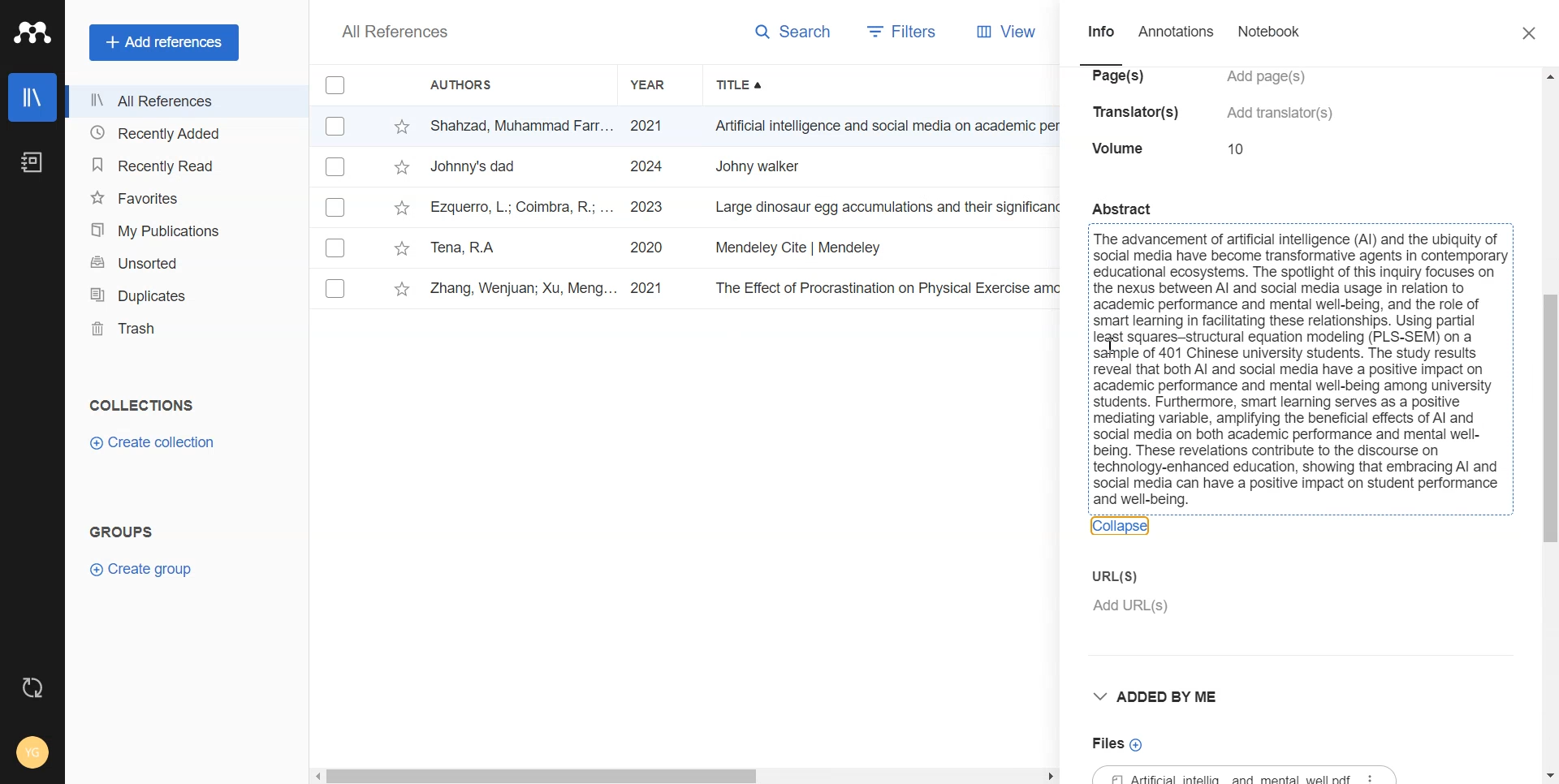 The image size is (1559, 784). What do you see at coordinates (1183, 31) in the screenshot?
I see `Annotations` at bounding box center [1183, 31].